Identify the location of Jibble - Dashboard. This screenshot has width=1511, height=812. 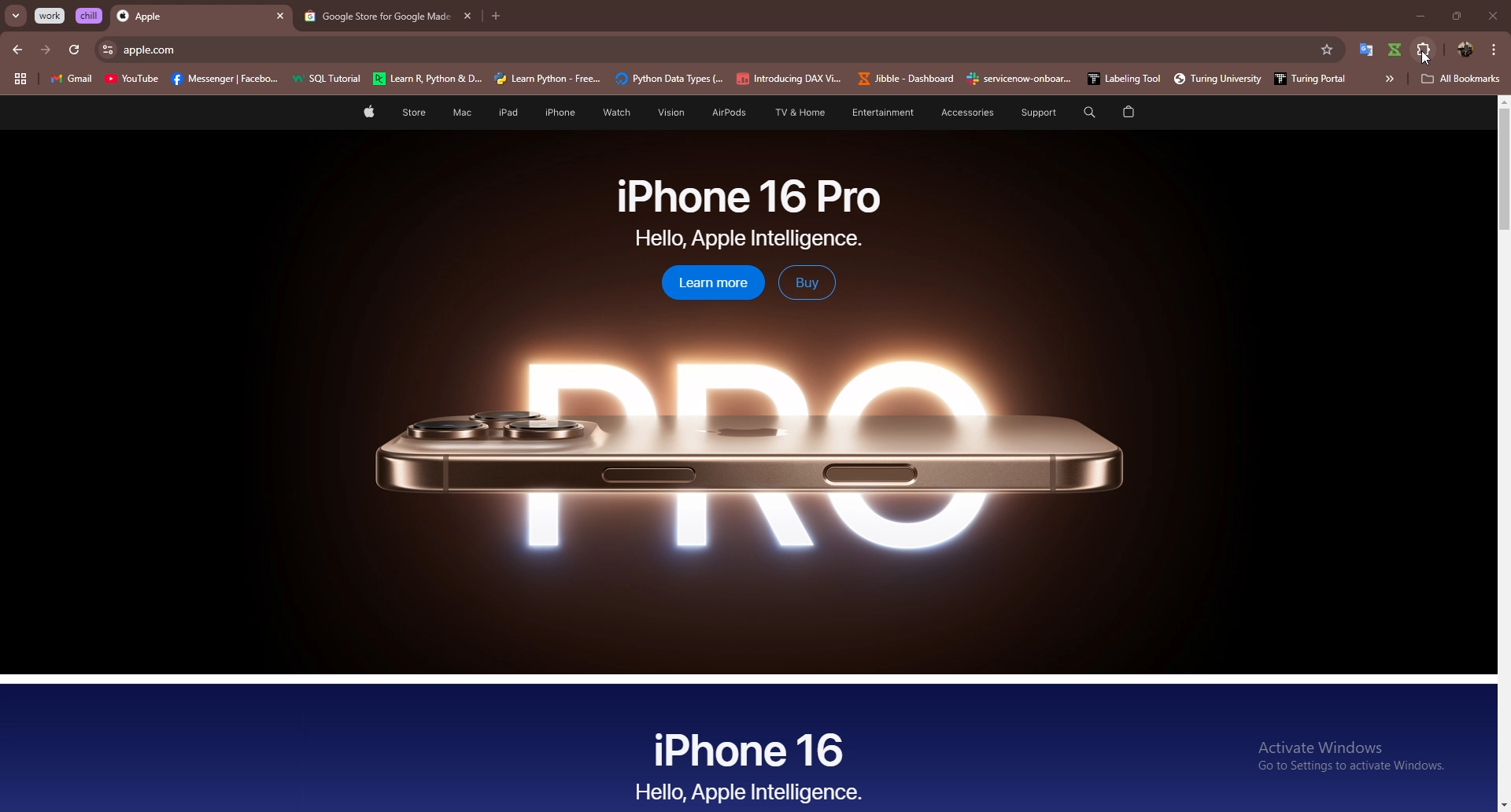
(903, 79).